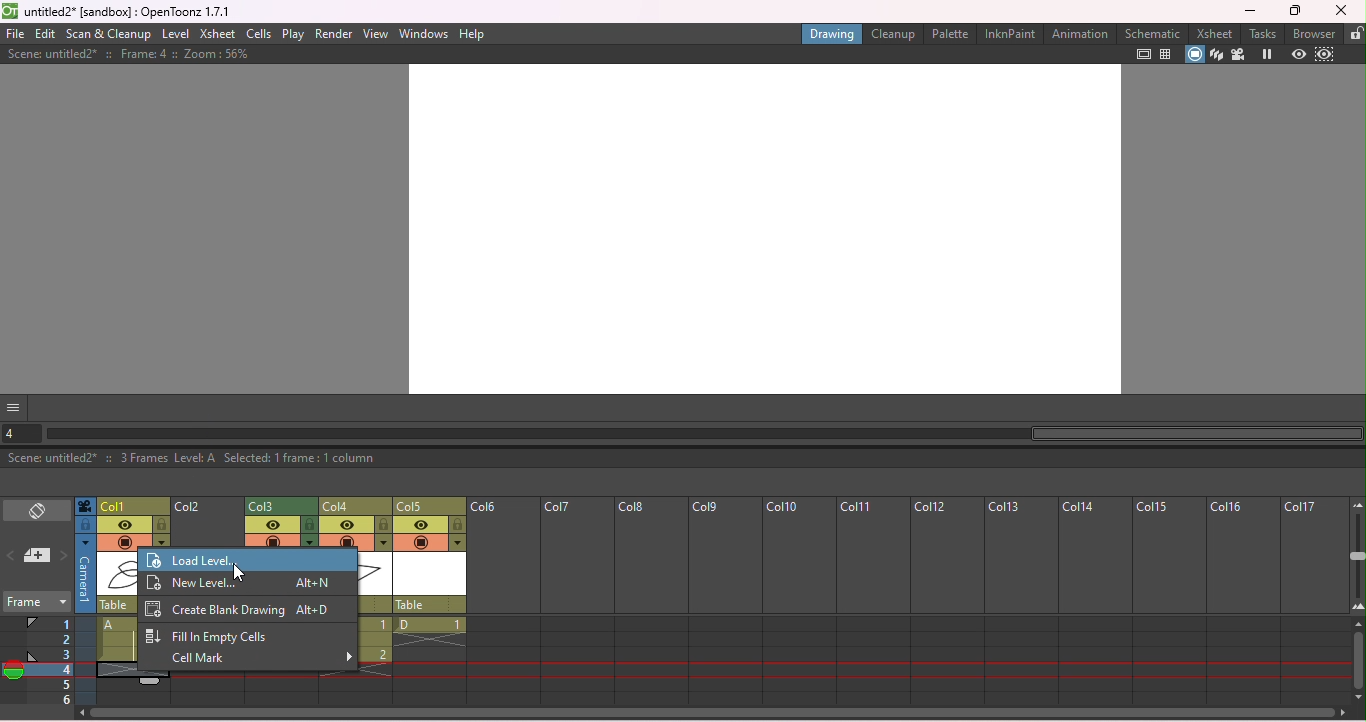 This screenshot has width=1366, height=722. Describe the element at coordinates (1144, 54) in the screenshot. I see `Safe area` at that location.